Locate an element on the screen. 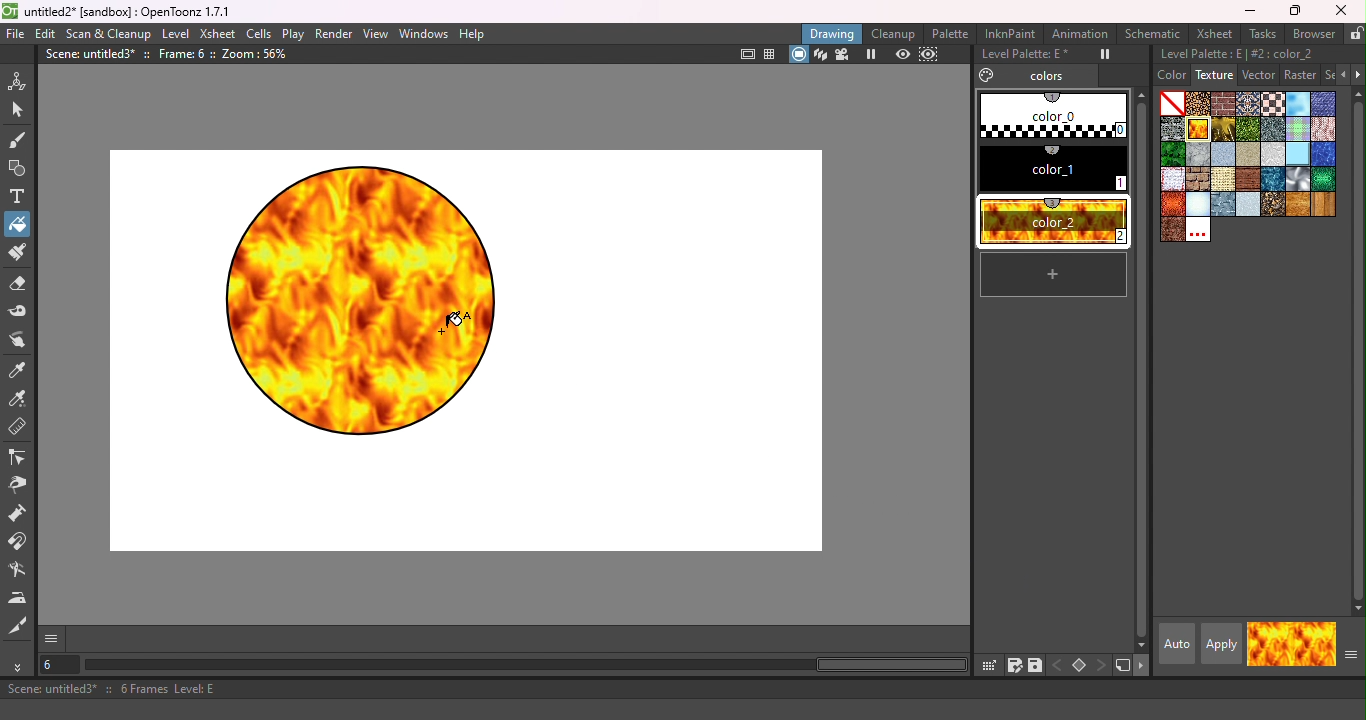 This screenshot has width=1366, height=720. Gold.bmp is located at coordinates (1224, 129).